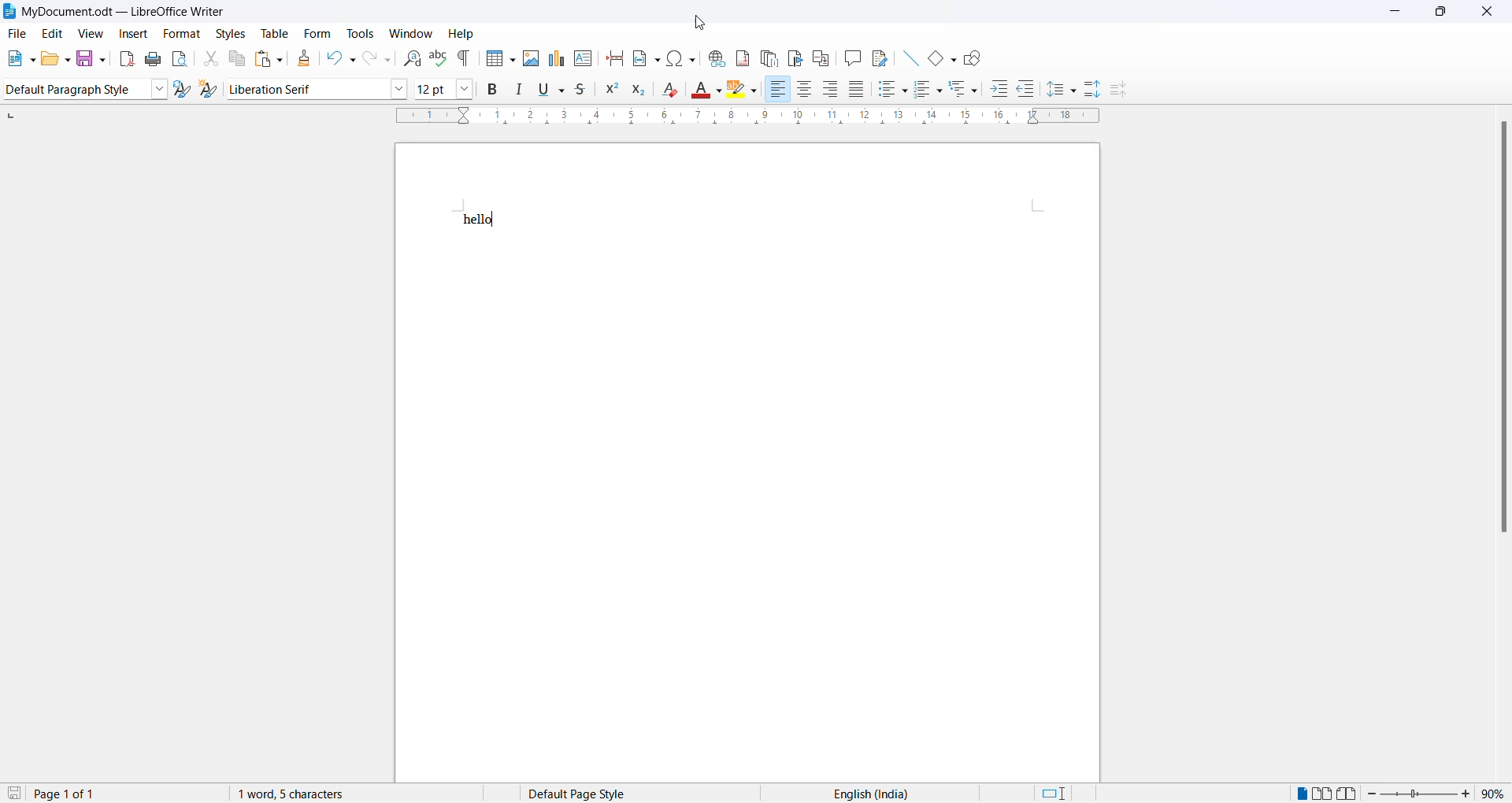 Image resolution: width=1512 pixels, height=803 pixels. Describe the element at coordinates (1492, 13) in the screenshot. I see `close` at that location.